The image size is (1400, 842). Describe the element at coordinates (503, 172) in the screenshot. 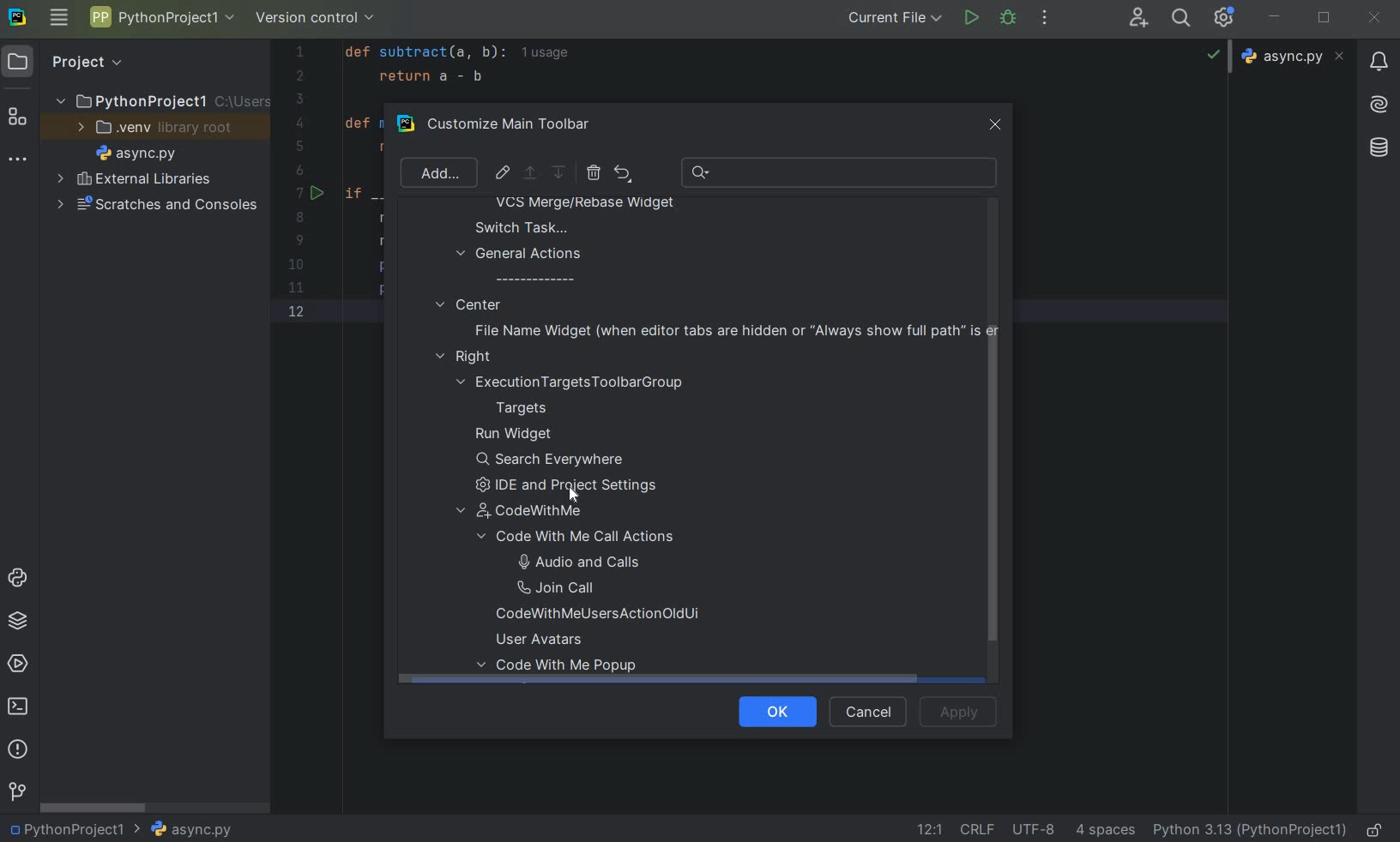

I see `EDIT ICON` at that location.